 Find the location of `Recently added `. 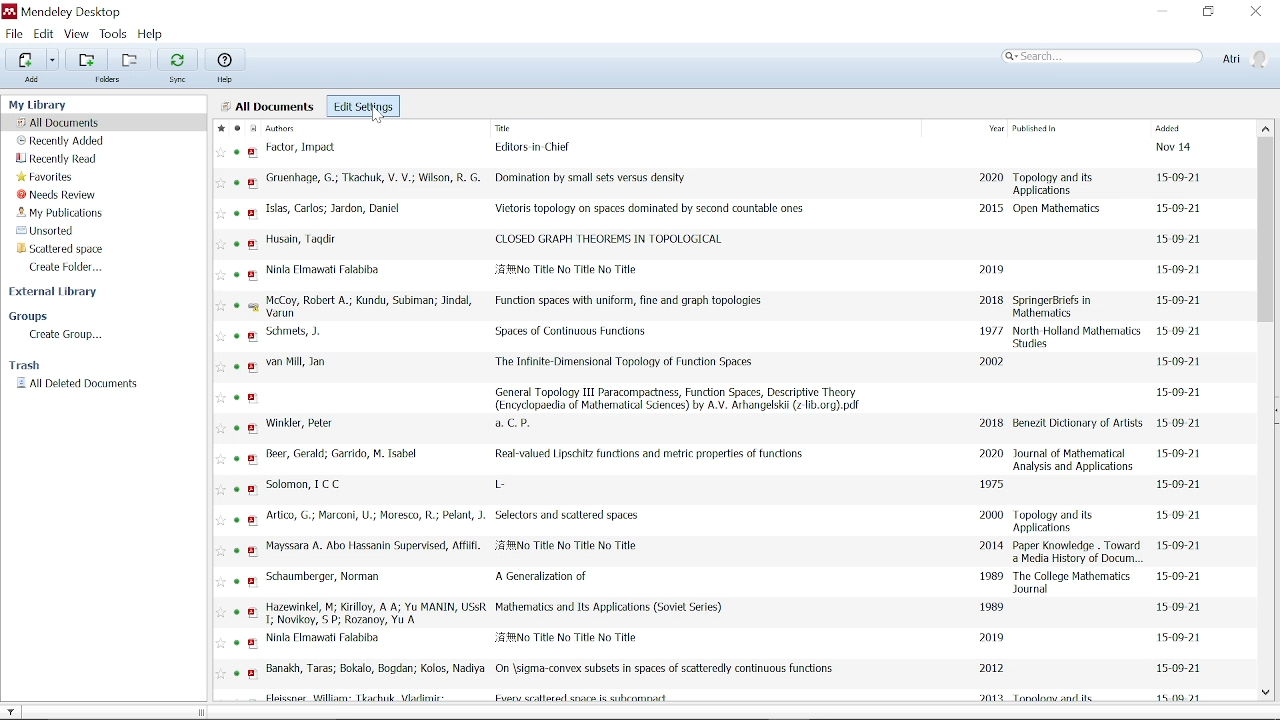

Recently added  is located at coordinates (68, 141).